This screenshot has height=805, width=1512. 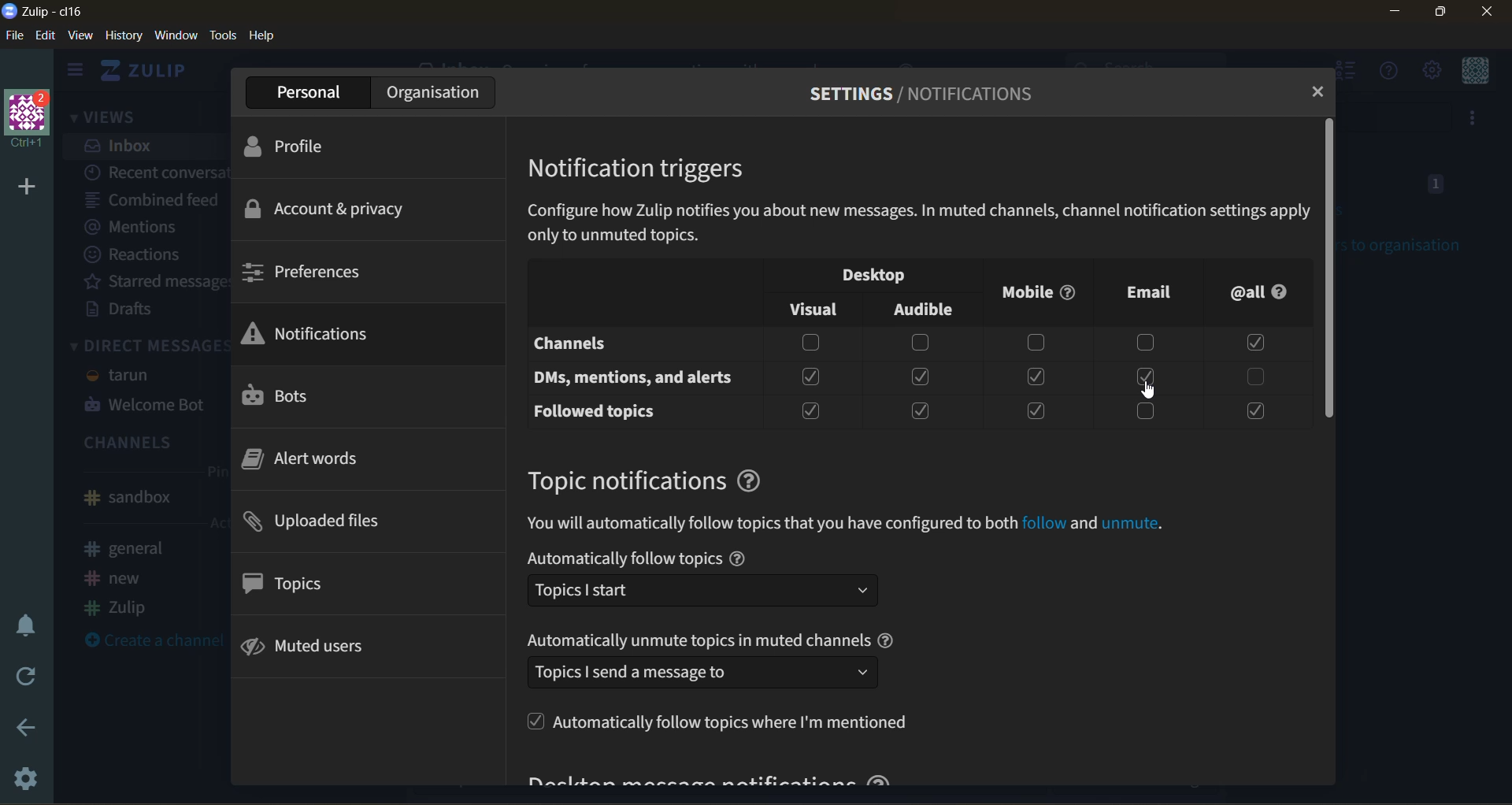 What do you see at coordinates (297, 587) in the screenshot?
I see `topics` at bounding box center [297, 587].